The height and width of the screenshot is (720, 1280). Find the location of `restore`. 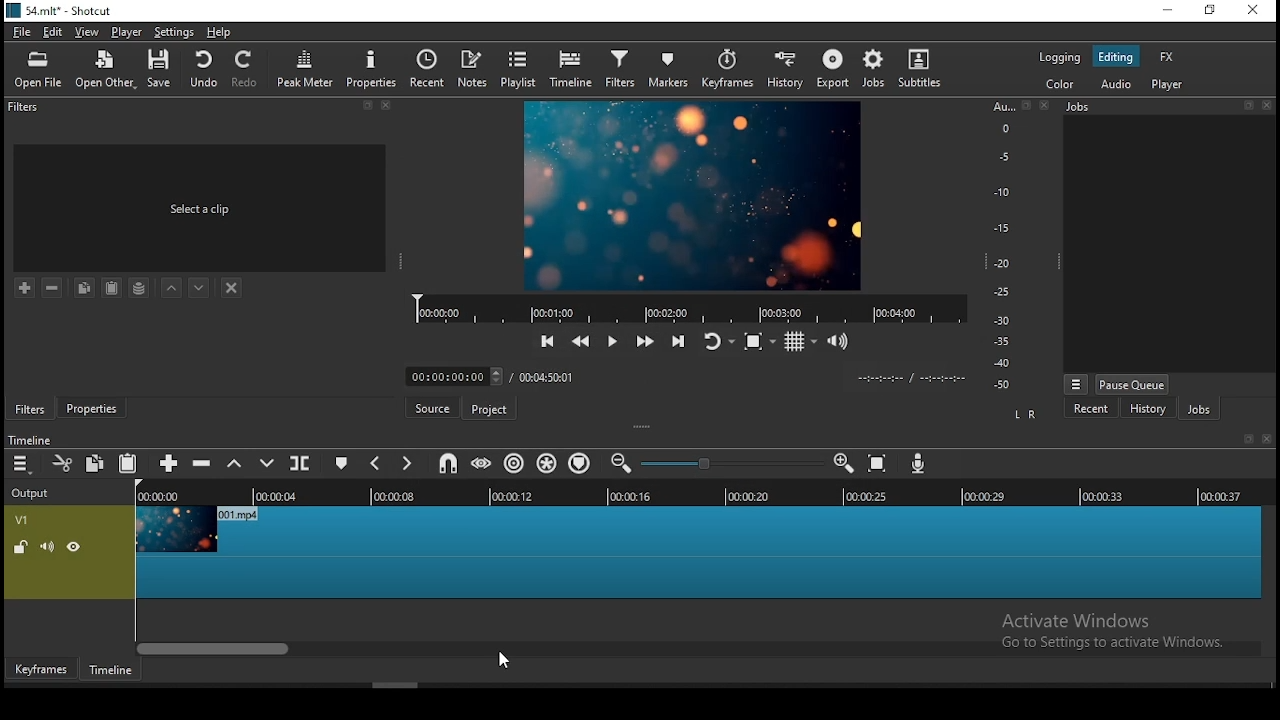

restore is located at coordinates (1248, 106).